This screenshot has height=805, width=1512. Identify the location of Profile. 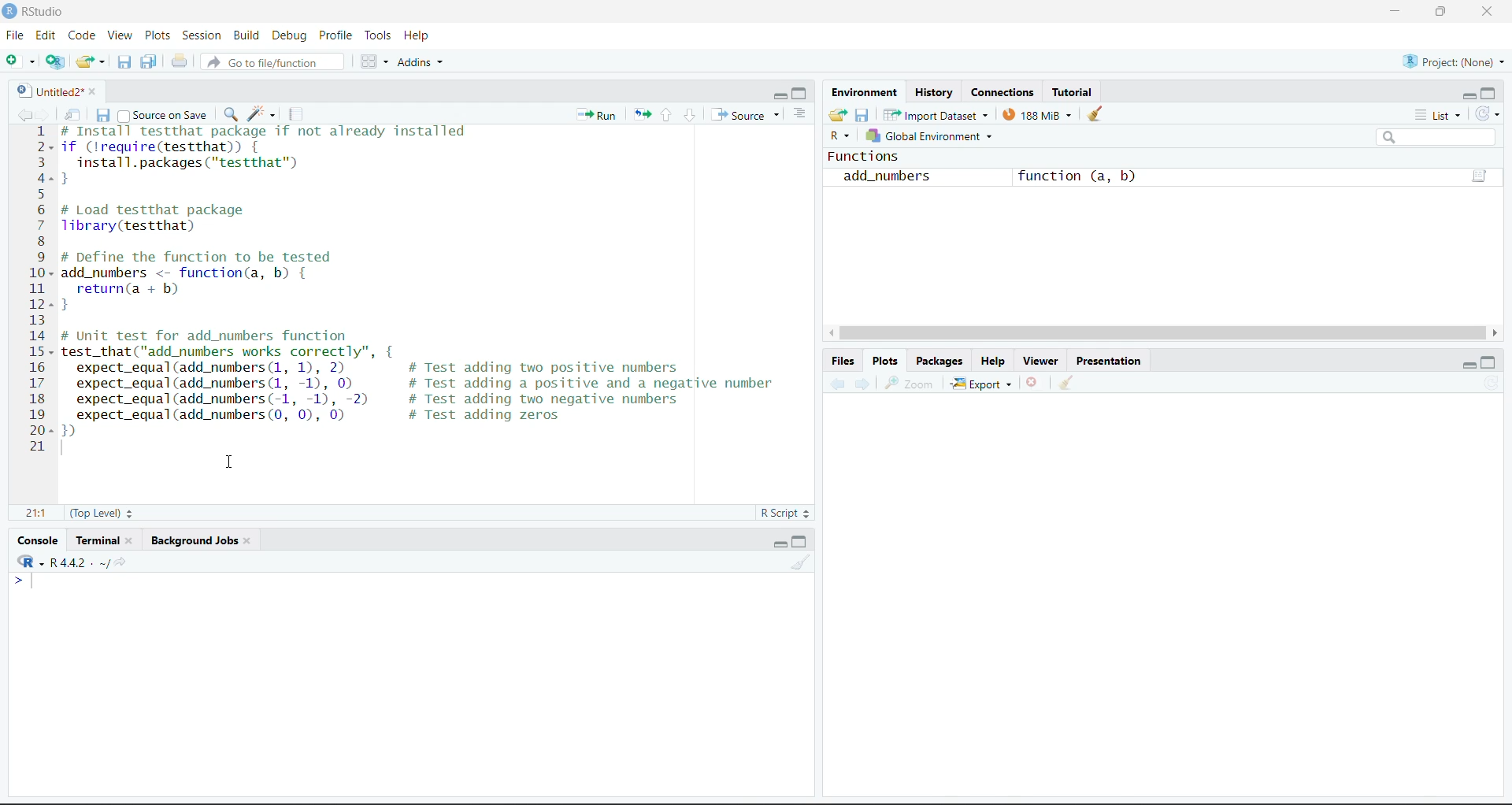
(339, 33).